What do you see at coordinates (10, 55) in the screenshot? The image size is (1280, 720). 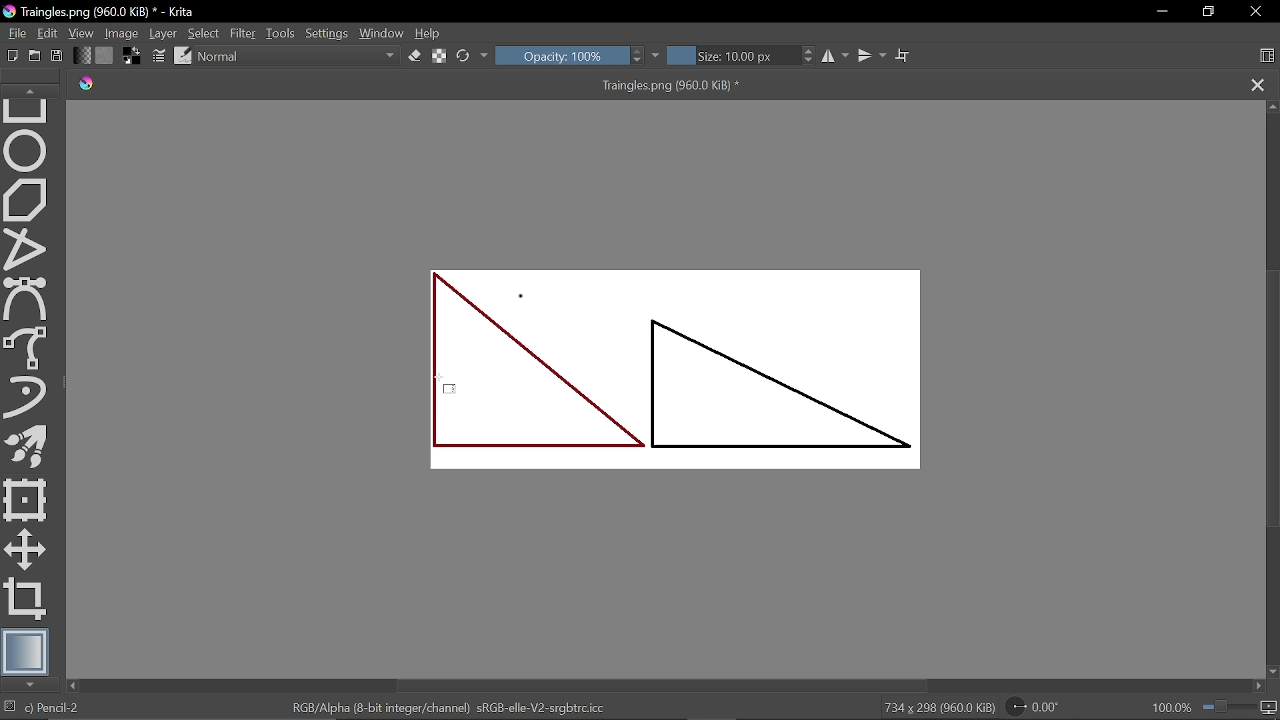 I see `Create new document` at bounding box center [10, 55].